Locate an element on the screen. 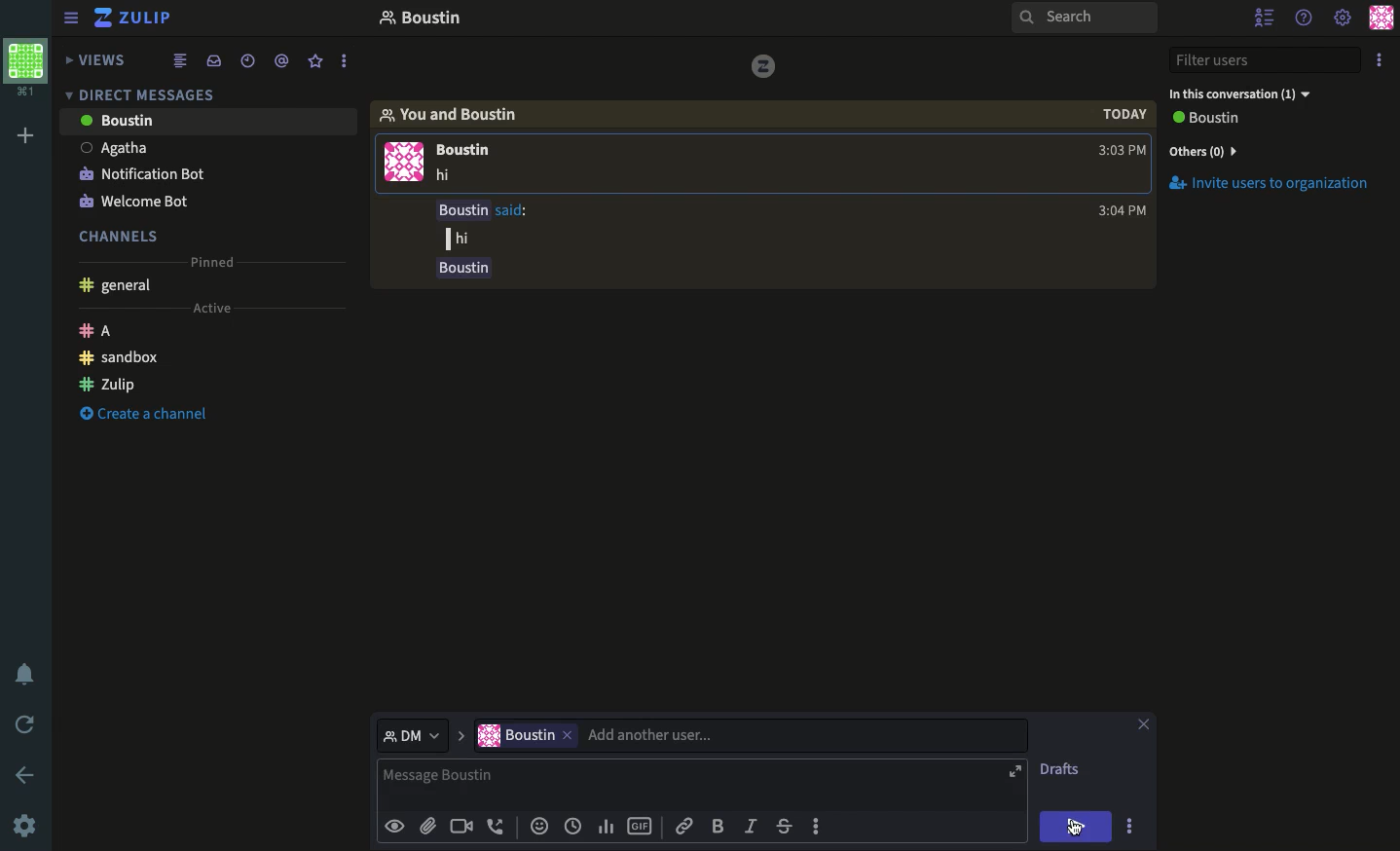  Channels is located at coordinates (122, 234).